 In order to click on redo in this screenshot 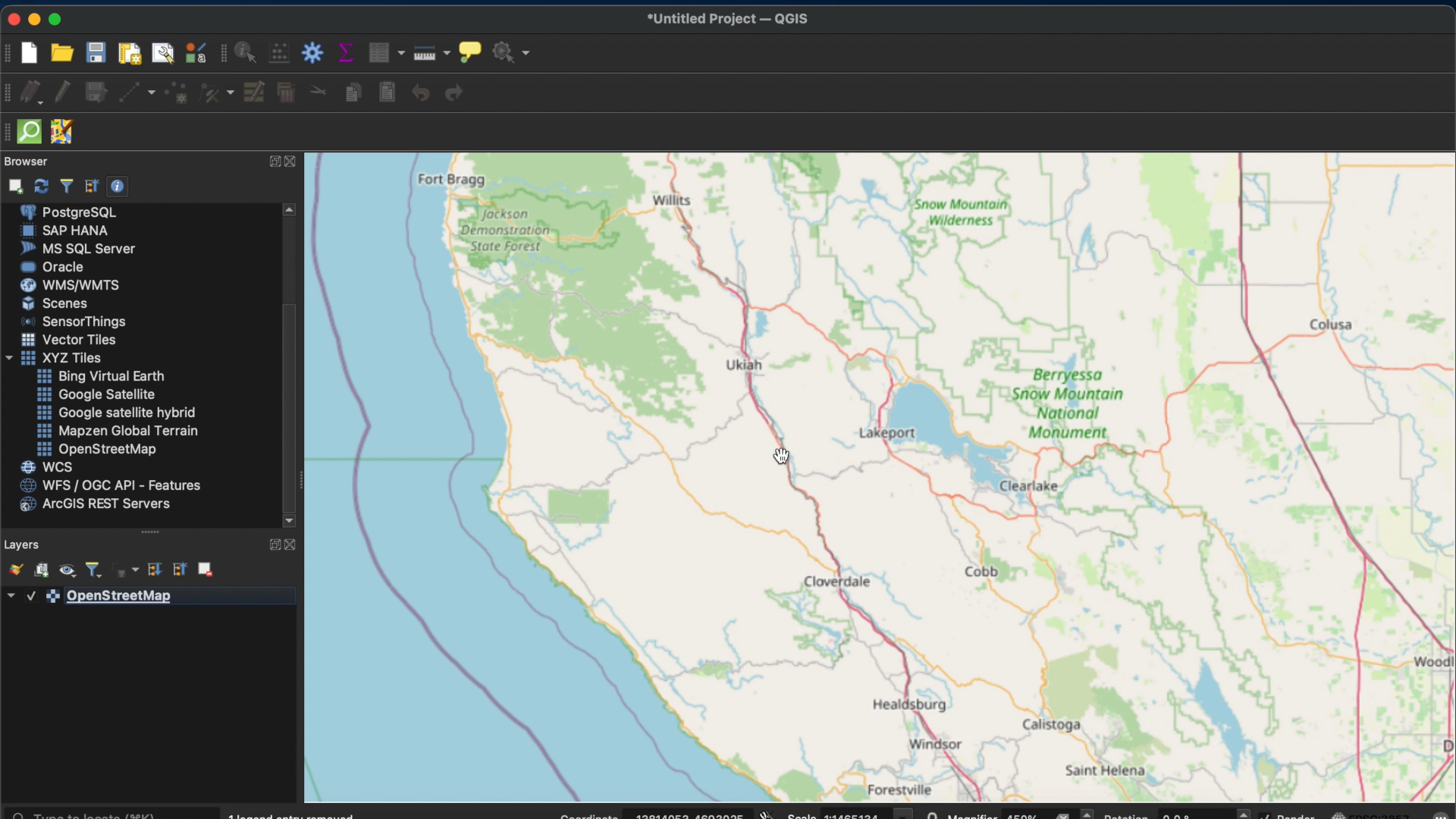, I will do `click(453, 92)`.